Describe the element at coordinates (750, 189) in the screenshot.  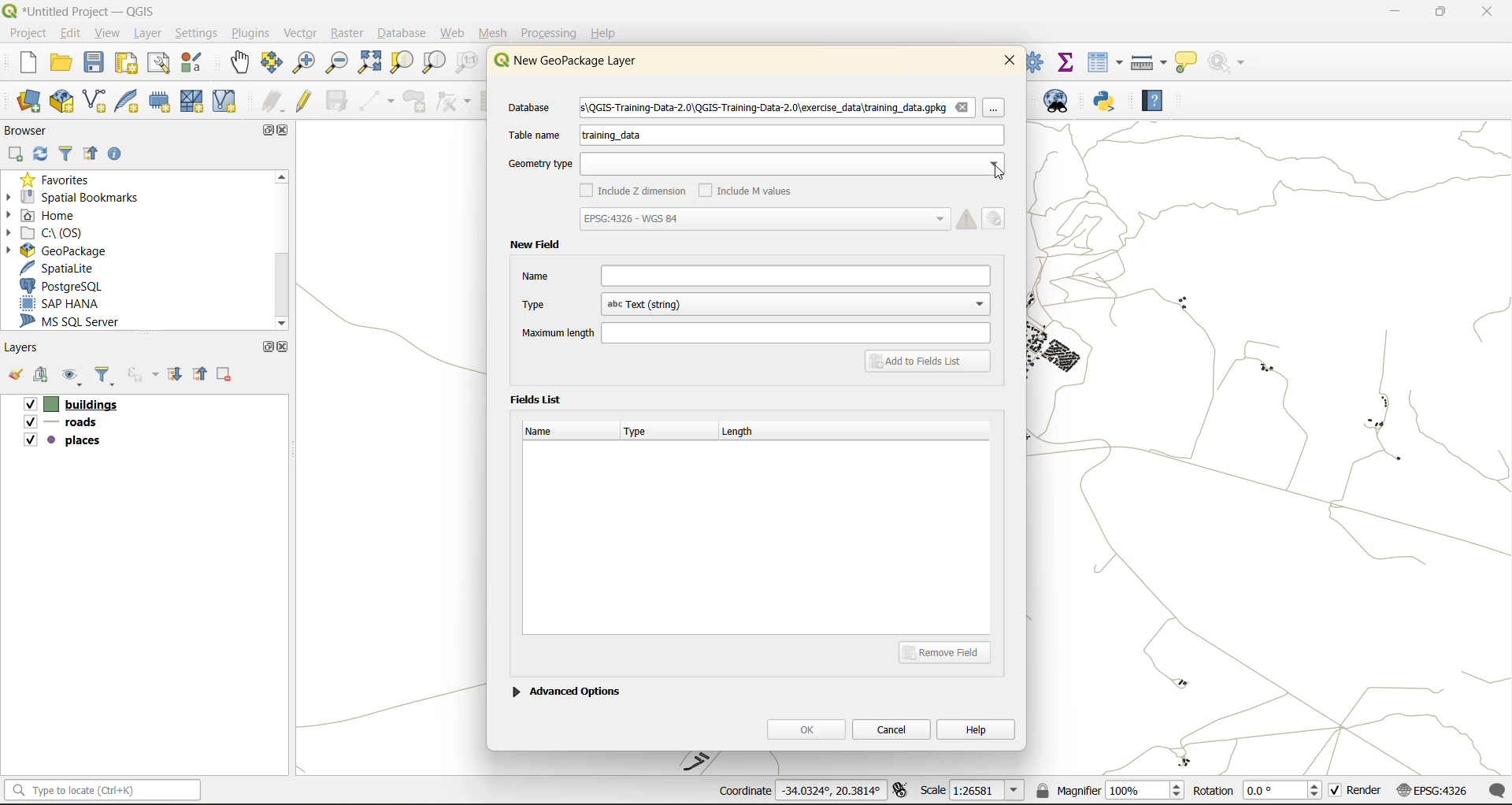
I see `include m values` at that location.